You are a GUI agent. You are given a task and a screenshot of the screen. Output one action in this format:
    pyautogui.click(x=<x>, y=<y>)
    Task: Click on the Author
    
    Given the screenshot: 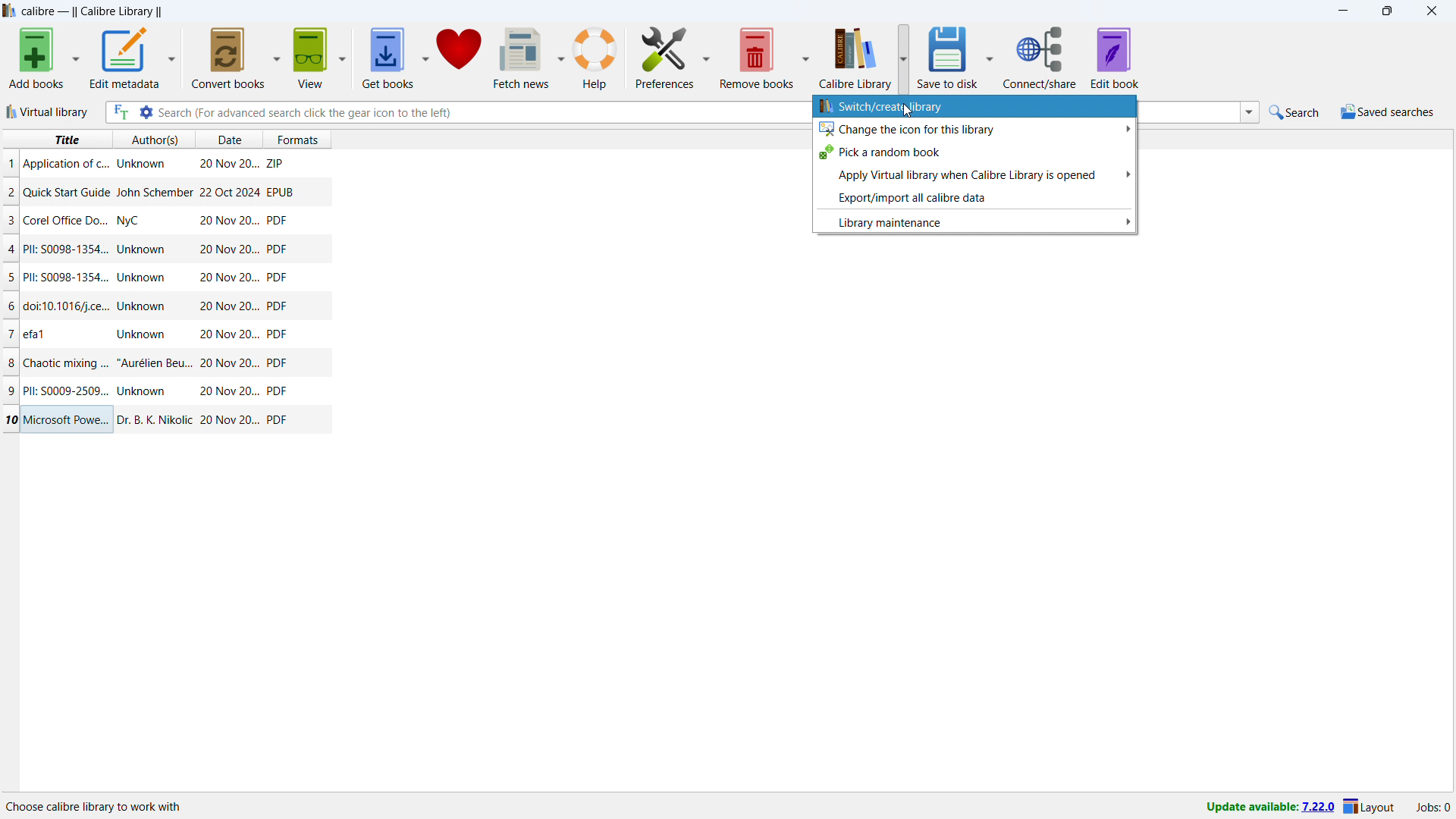 What is the action you would take?
    pyautogui.click(x=140, y=165)
    